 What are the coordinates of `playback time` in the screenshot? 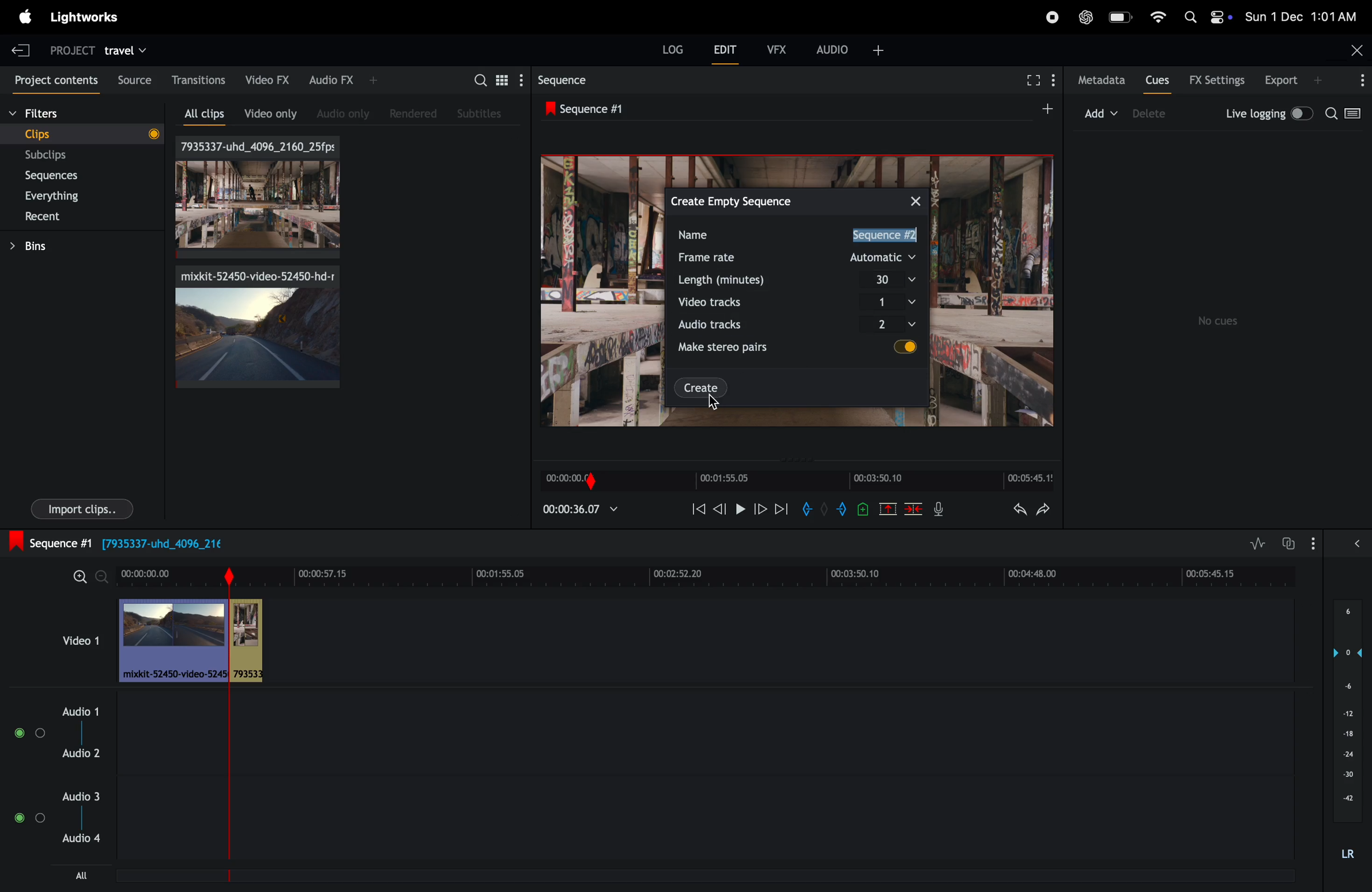 It's located at (583, 510).